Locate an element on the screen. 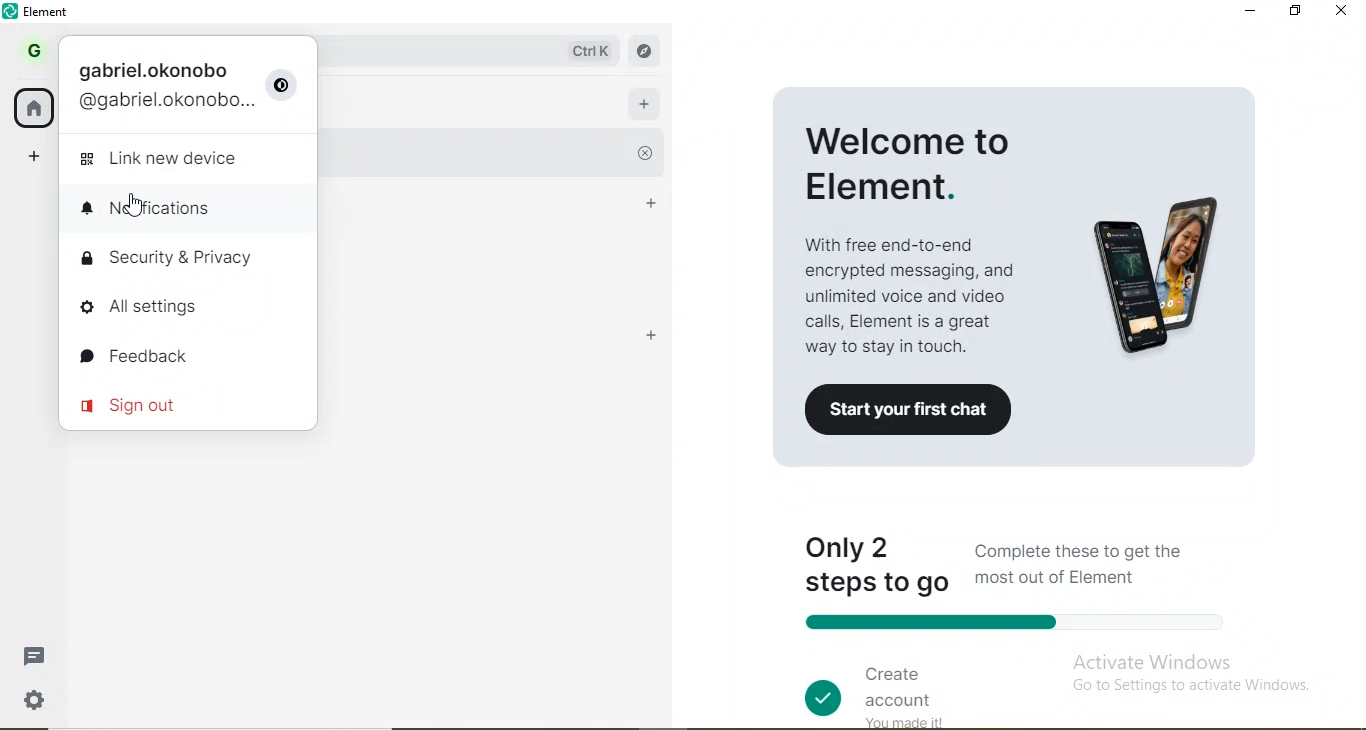 This screenshot has height=730, width=1366. messages is located at coordinates (41, 656).